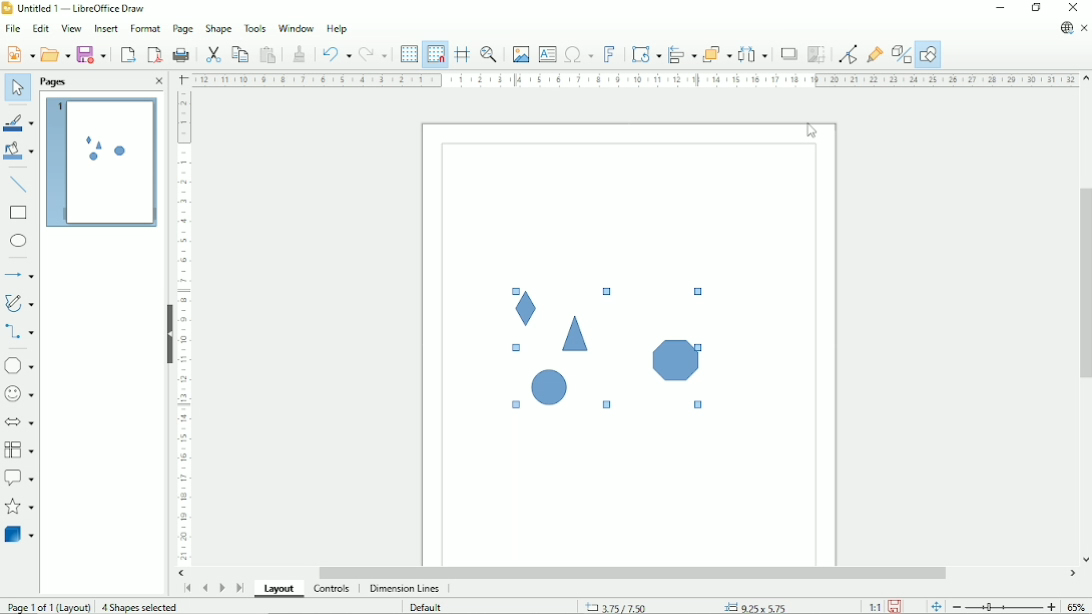 This screenshot has height=614, width=1092. Describe the element at coordinates (240, 587) in the screenshot. I see `Scroll to last page` at that location.